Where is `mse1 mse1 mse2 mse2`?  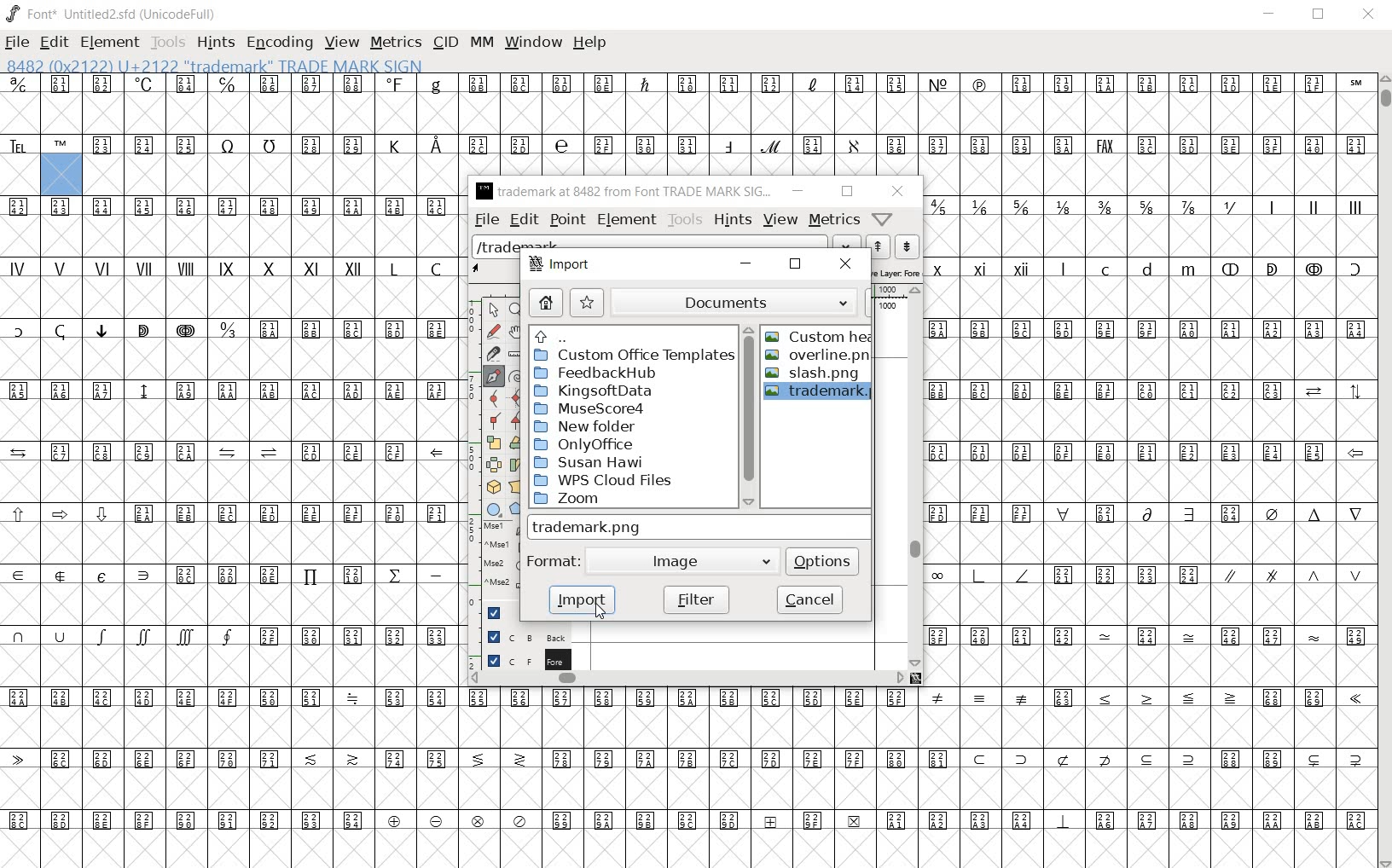
mse1 mse1 mse2 mse2 is located at coordinates (492, 557).